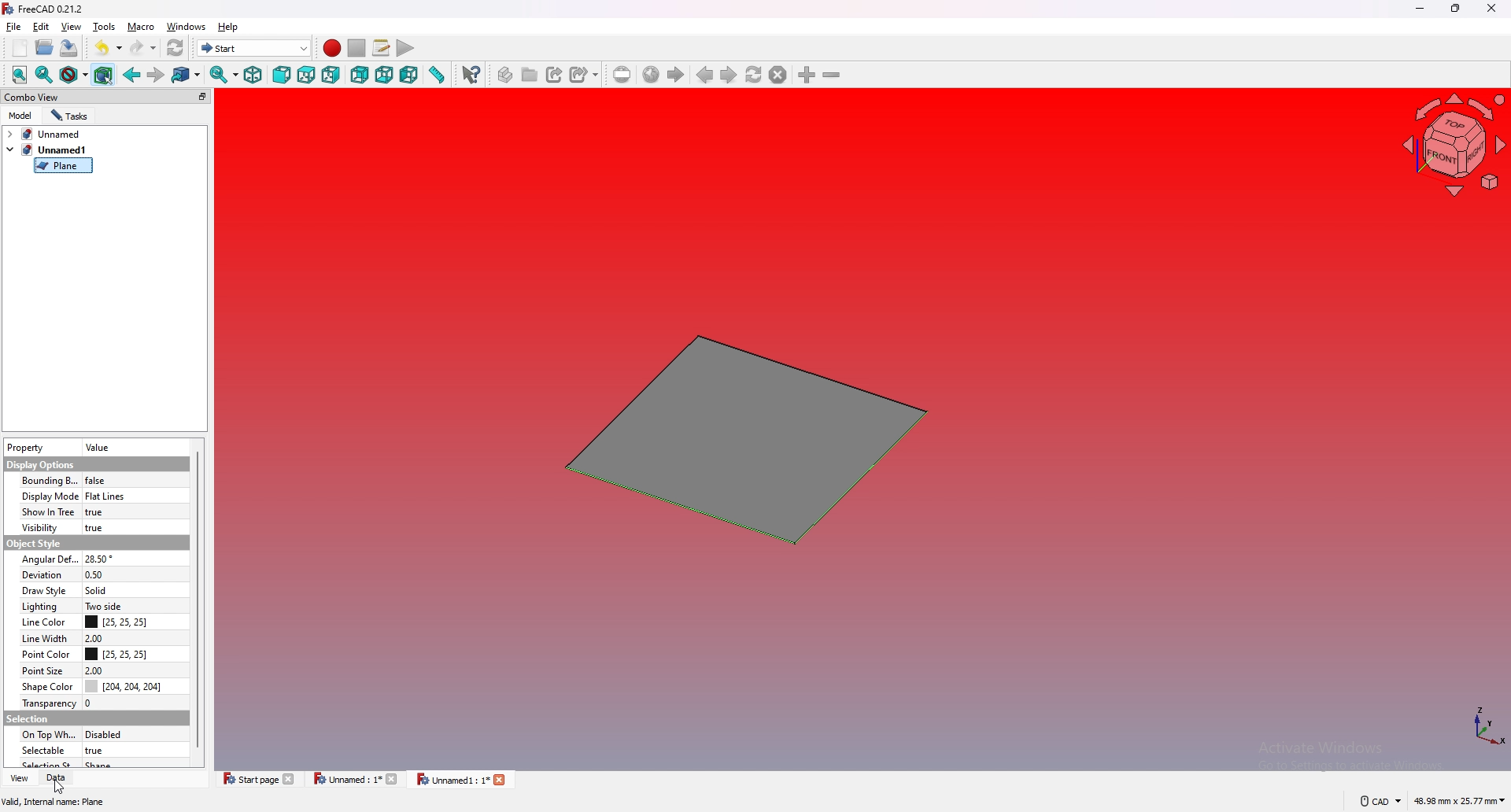 The height and width of the screenshot is (812, 1511). What do you see at coordinates (97, 670) in the screenshot?
I see `2.00` at bounding box center [97, 670].